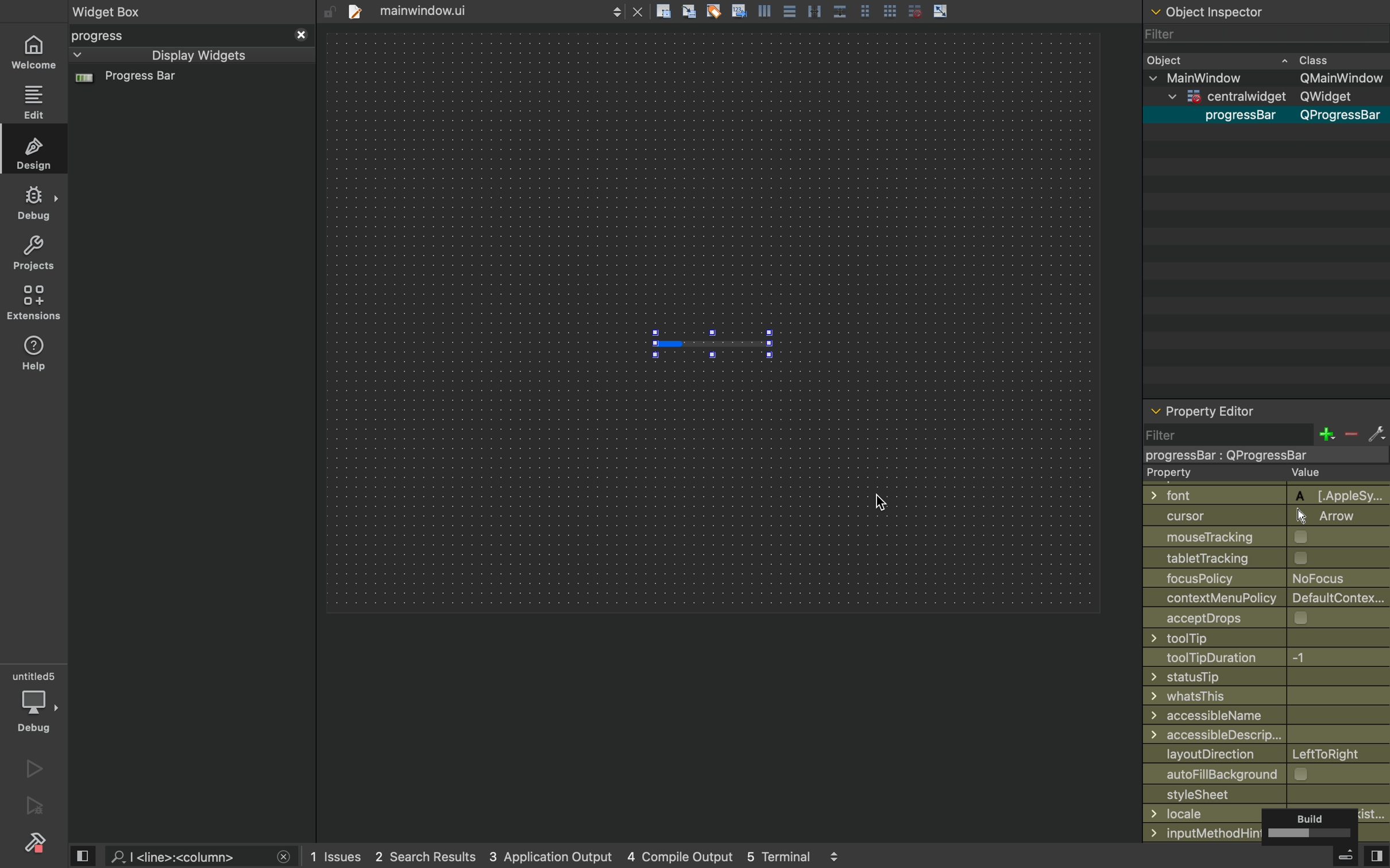  Describe the element at coordinates (176, 55) in the screenshot. I see `display widget` at that location.